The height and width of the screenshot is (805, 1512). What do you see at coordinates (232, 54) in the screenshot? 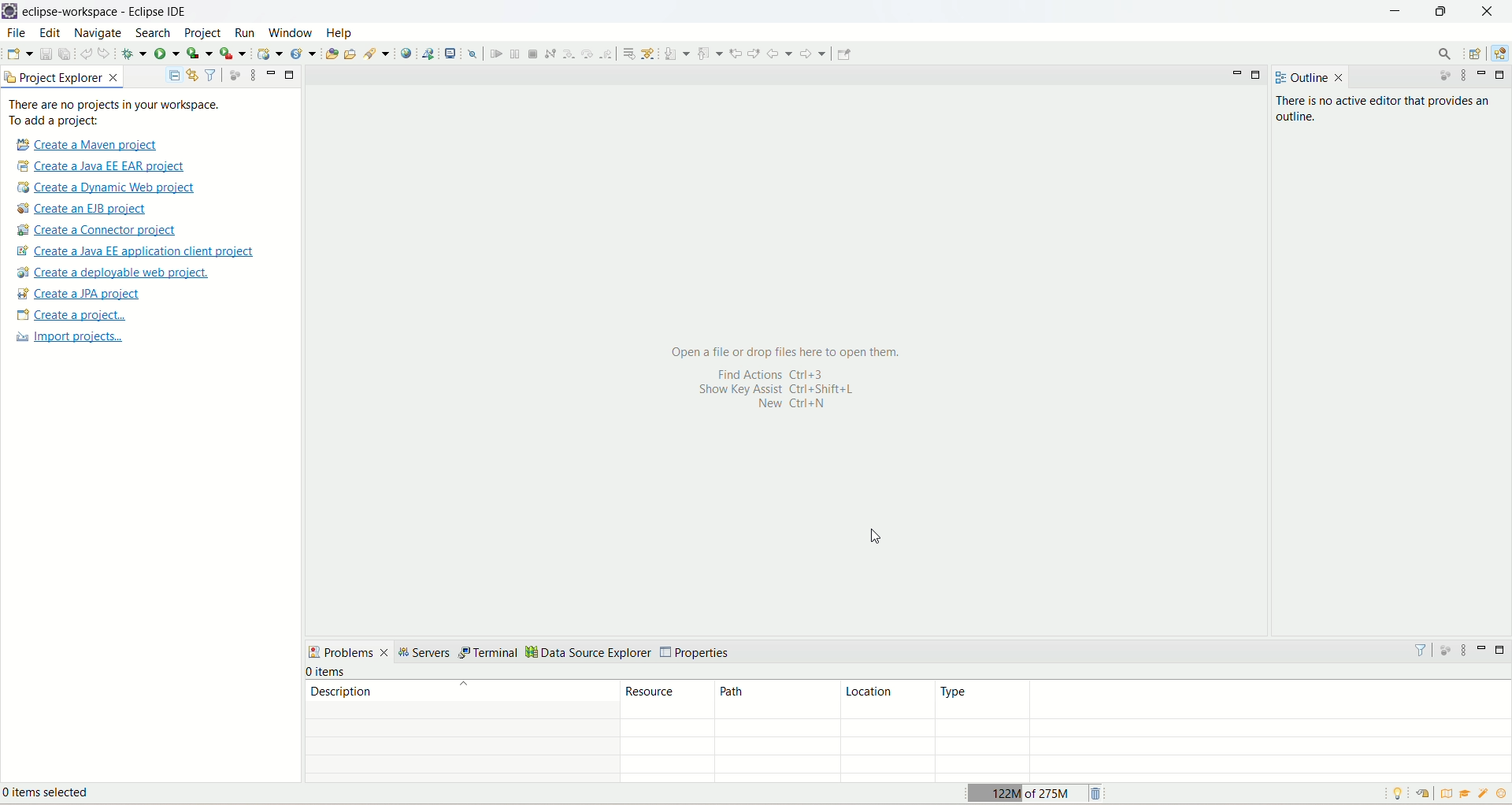
I see `run last tool` at bounding box center [232, 54].